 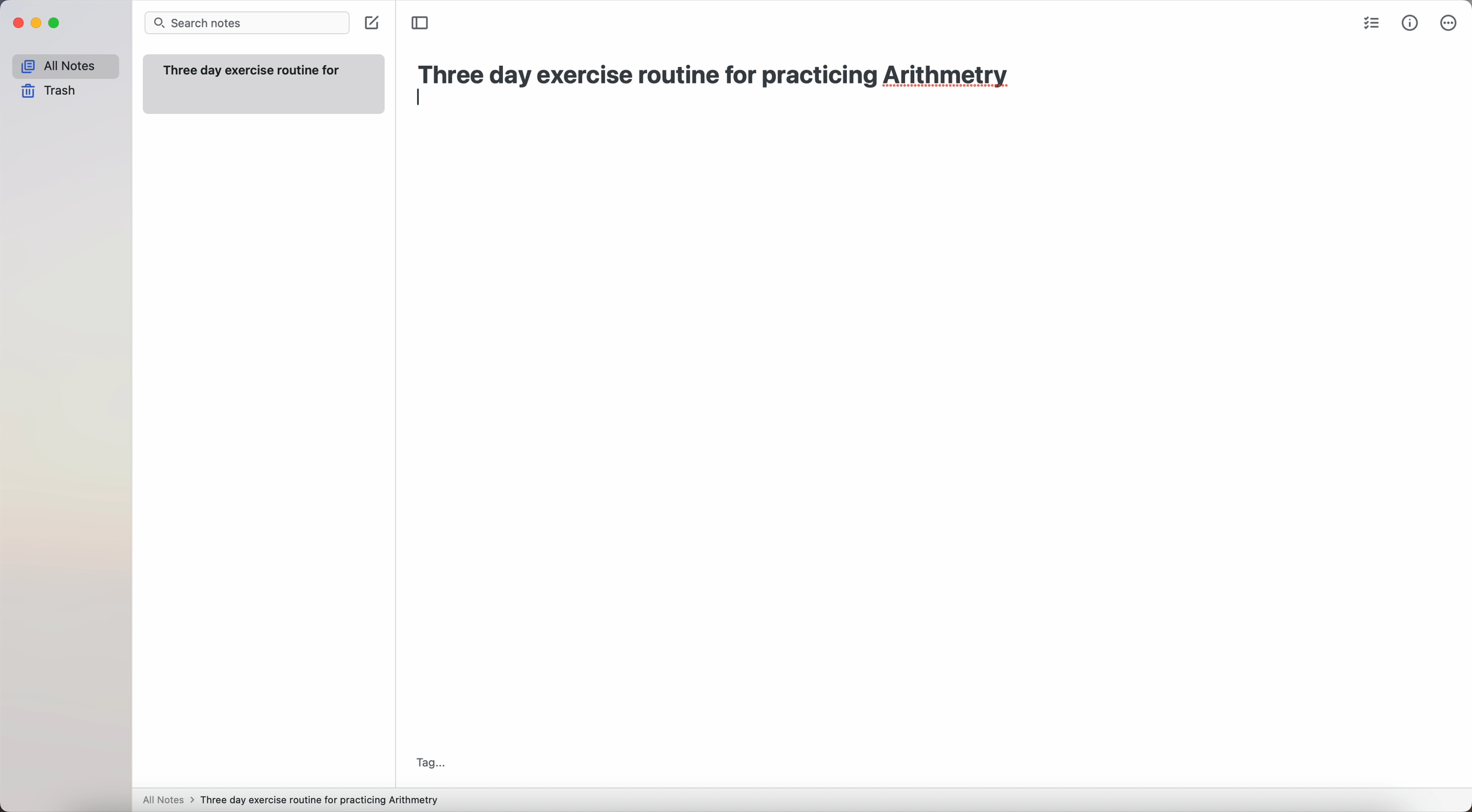 I want to click on search bar, so click(x=246, y=22).